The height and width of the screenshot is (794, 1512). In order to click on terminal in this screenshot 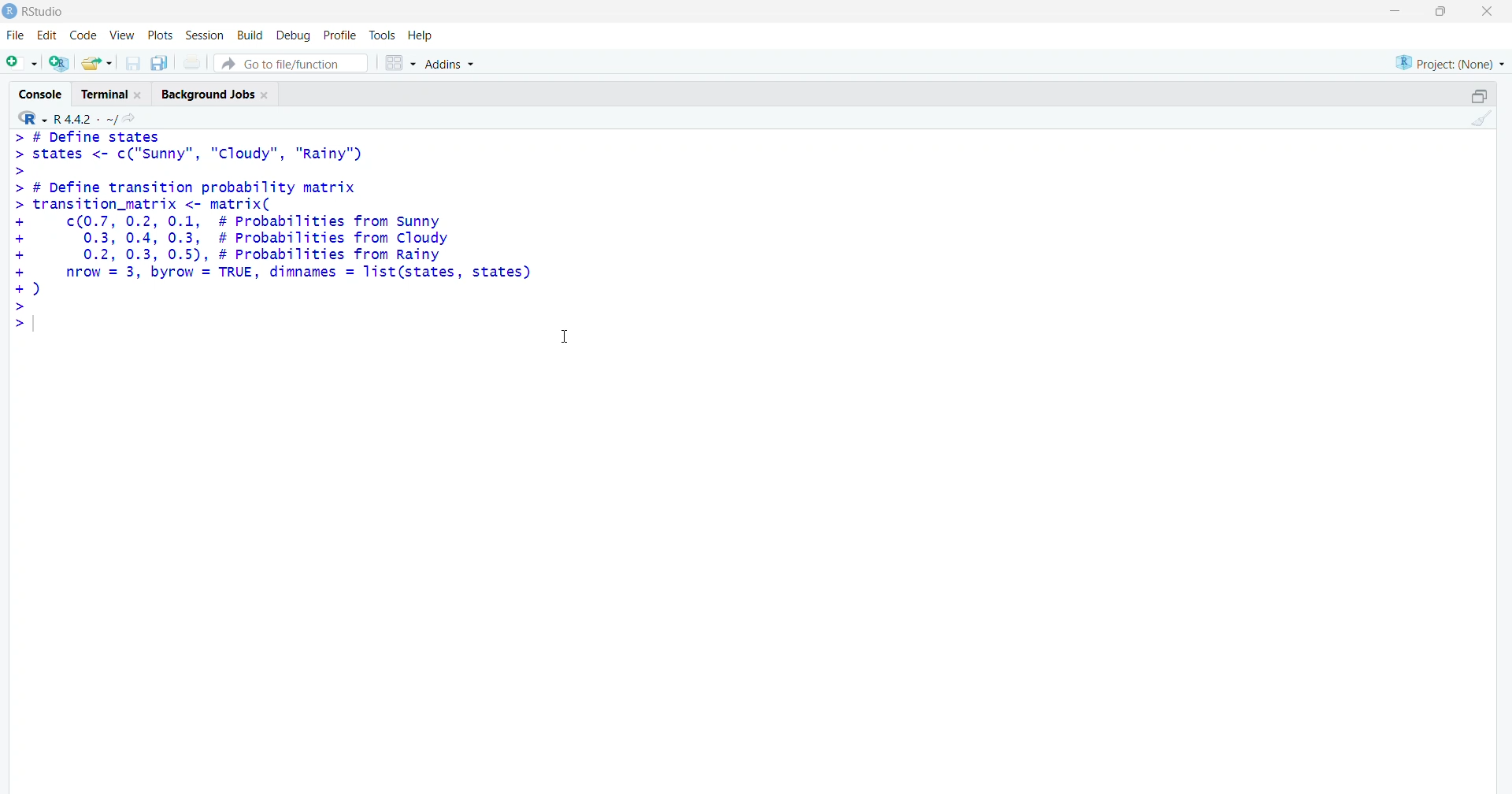, I will do `click(113, 94)`.